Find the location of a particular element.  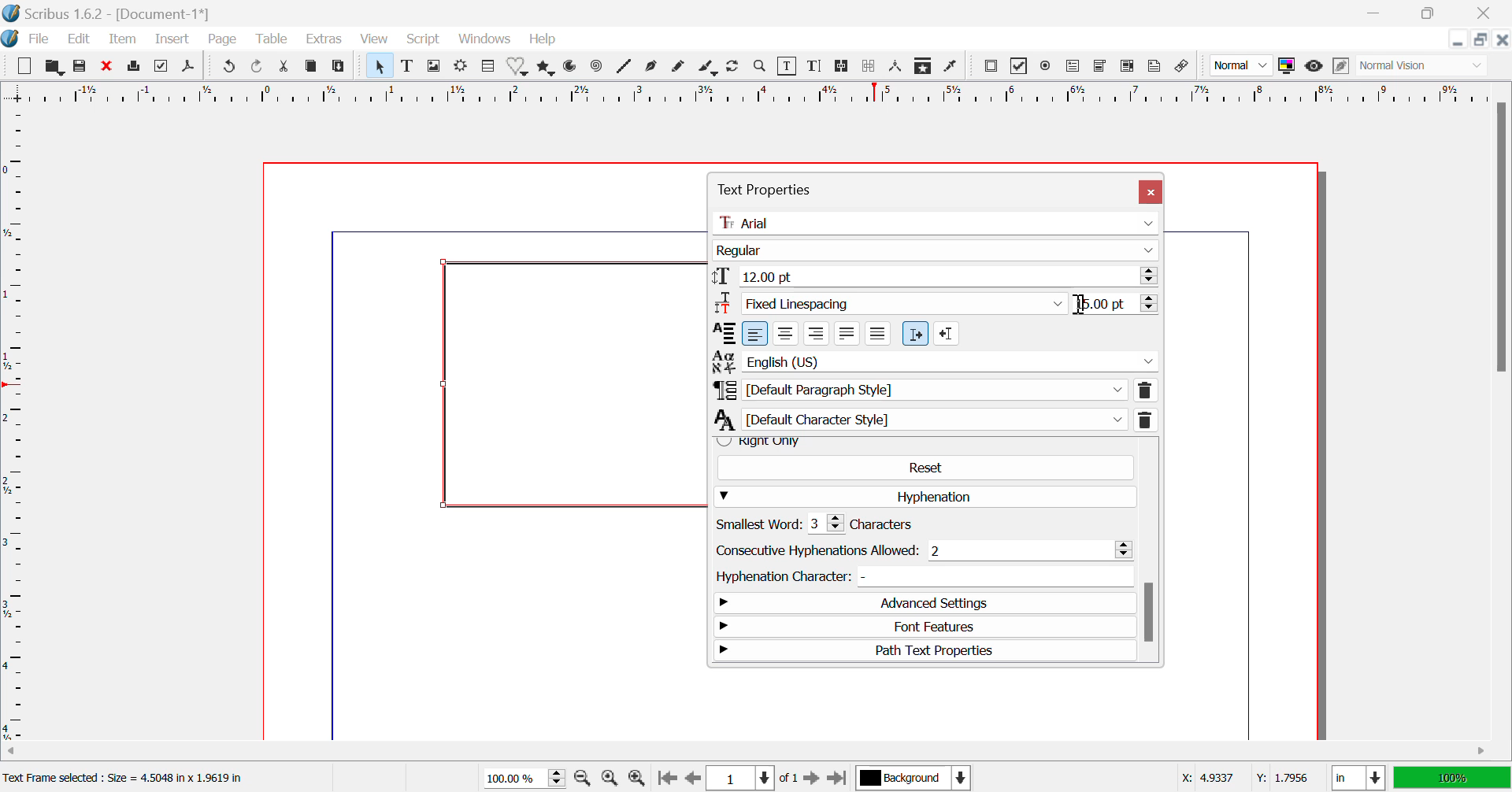

Freehand Line is located at coordinates (679, 69).